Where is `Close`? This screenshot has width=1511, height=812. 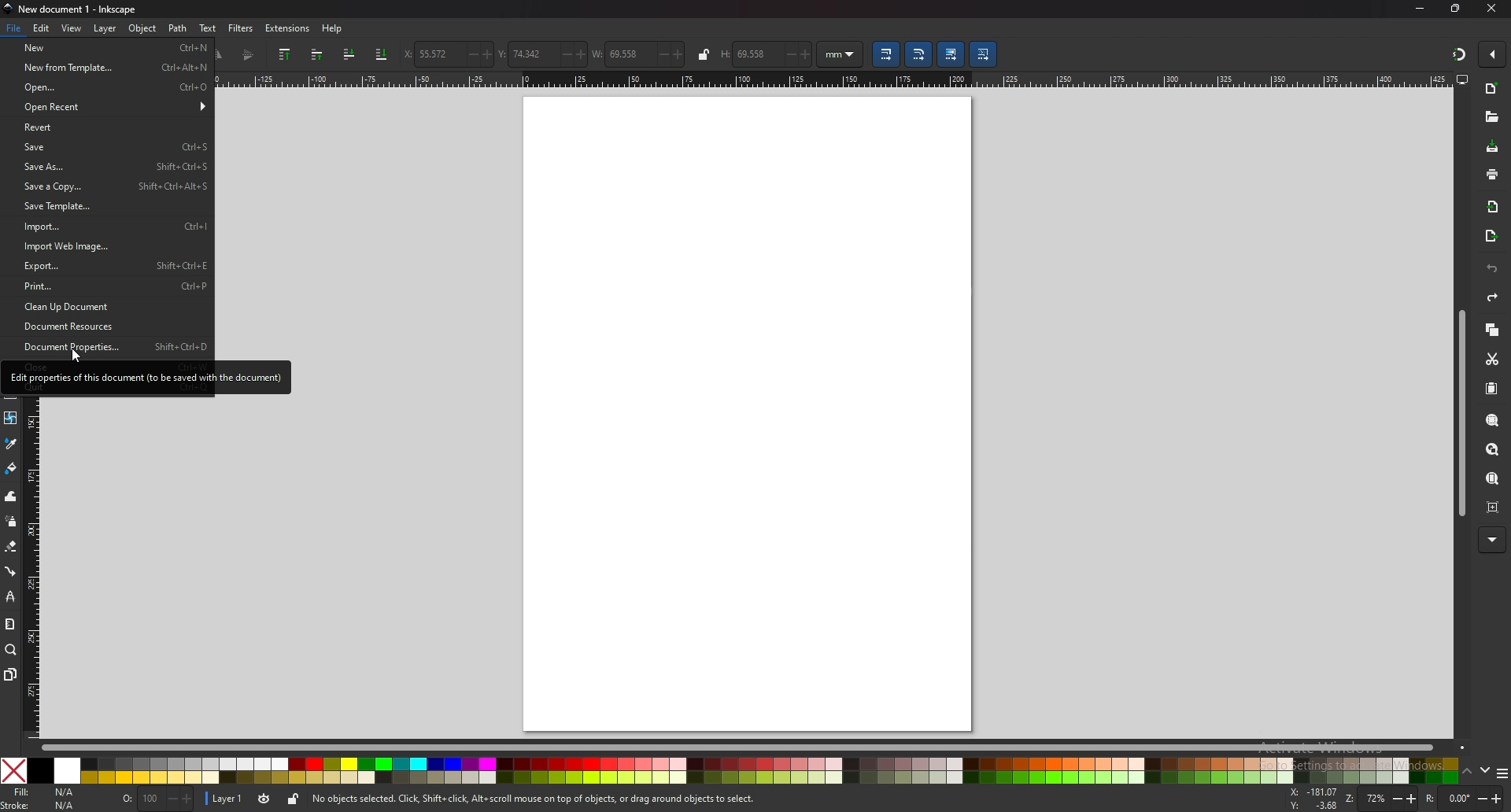 Close is located at coordinates (13, 770).